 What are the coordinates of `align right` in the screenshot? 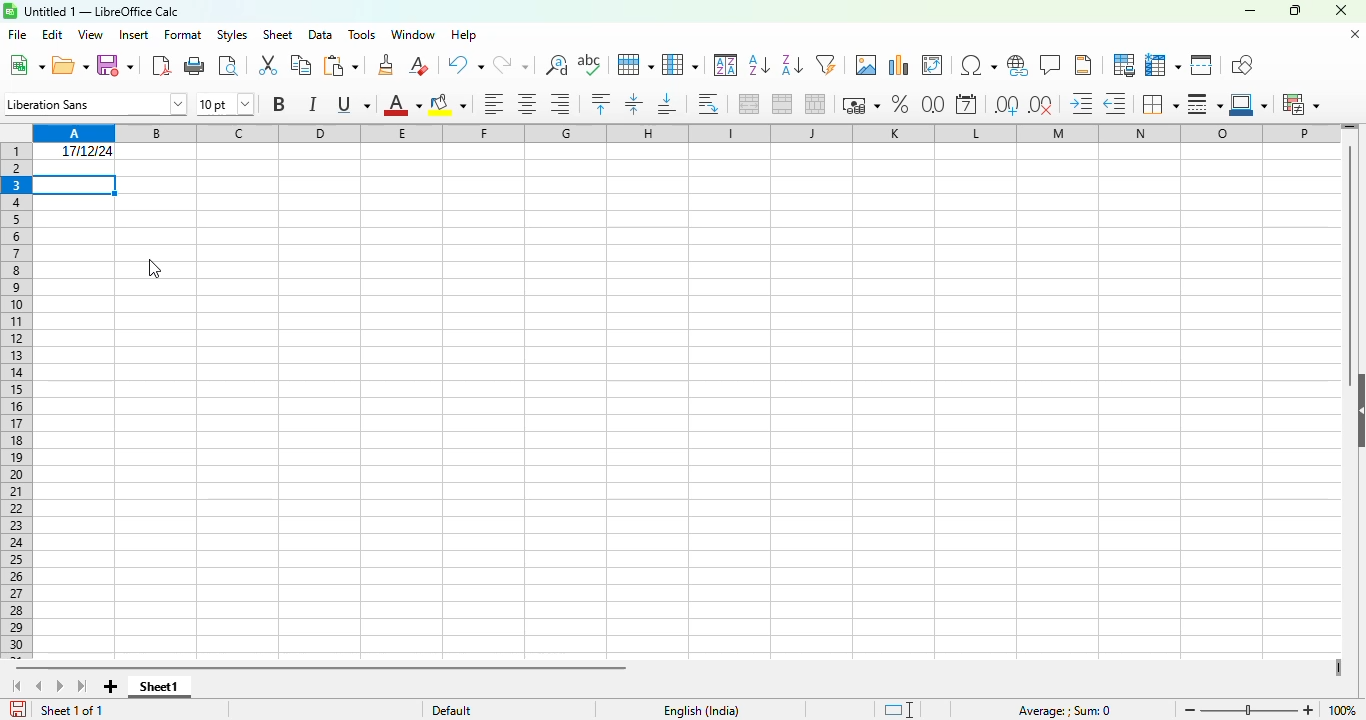 It's located at (559, 105).